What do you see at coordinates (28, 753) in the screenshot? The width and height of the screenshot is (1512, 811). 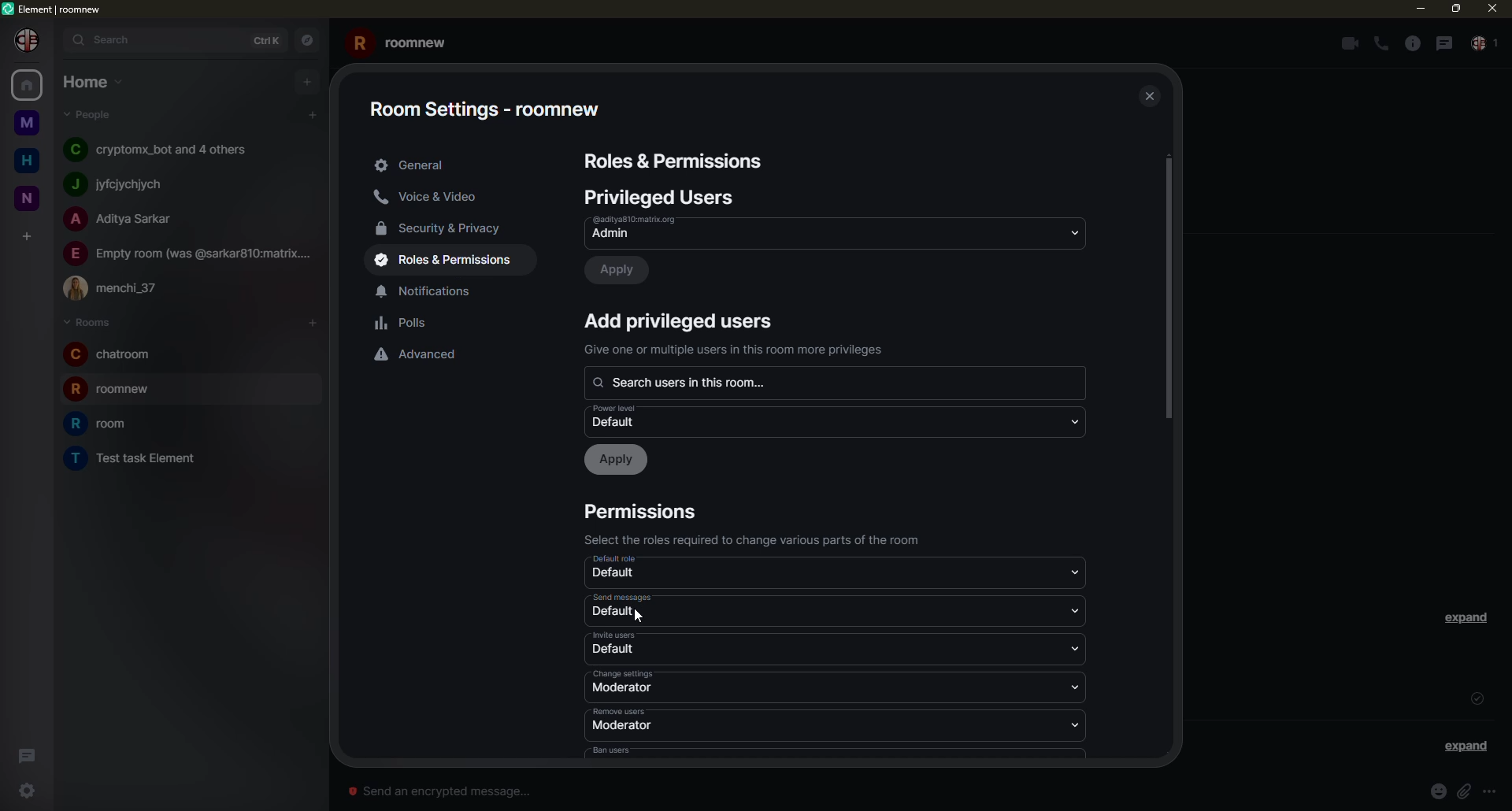 I see `threads` at bounding box center [28, 753].